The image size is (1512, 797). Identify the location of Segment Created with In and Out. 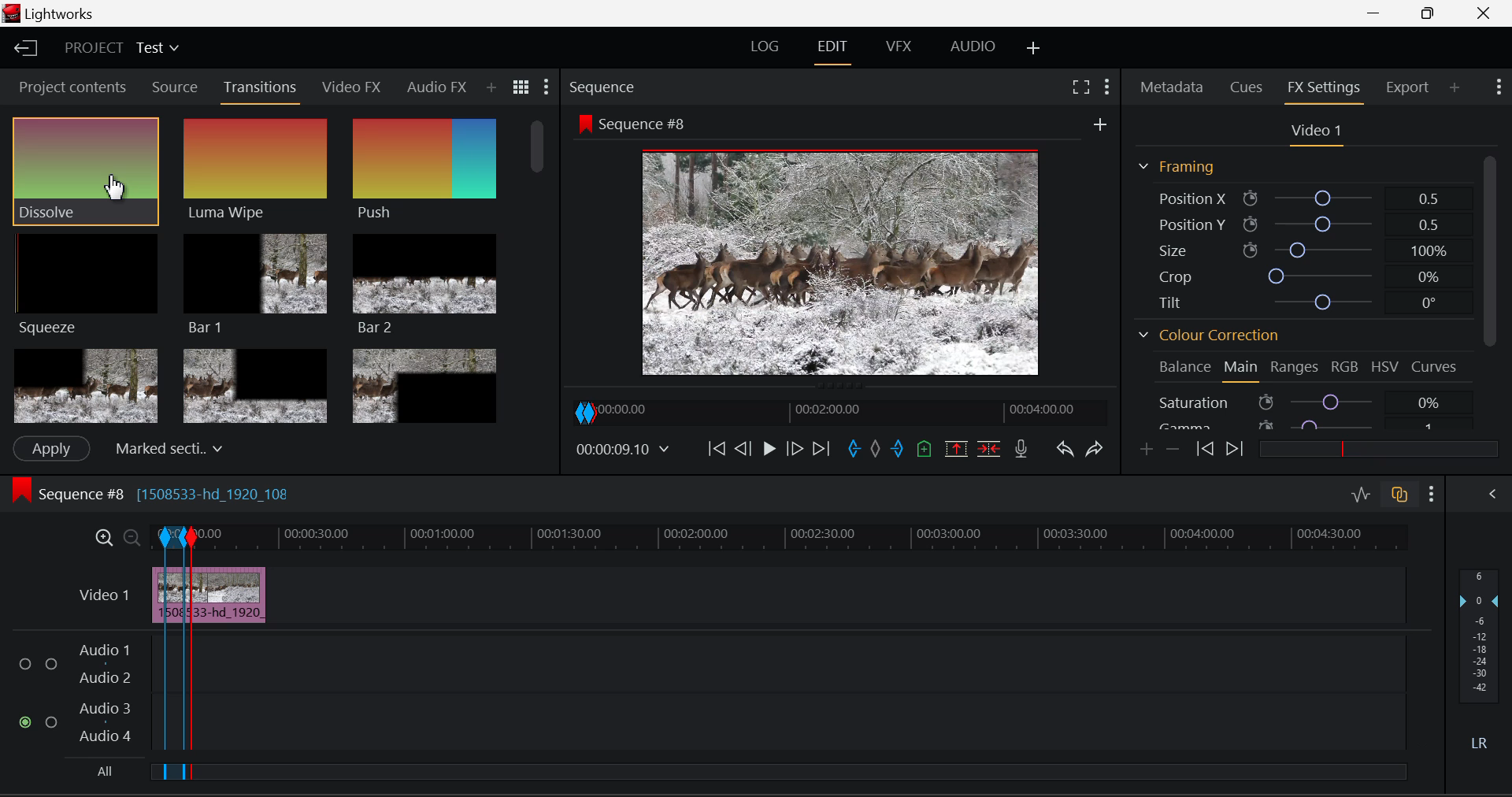
(173, 656).